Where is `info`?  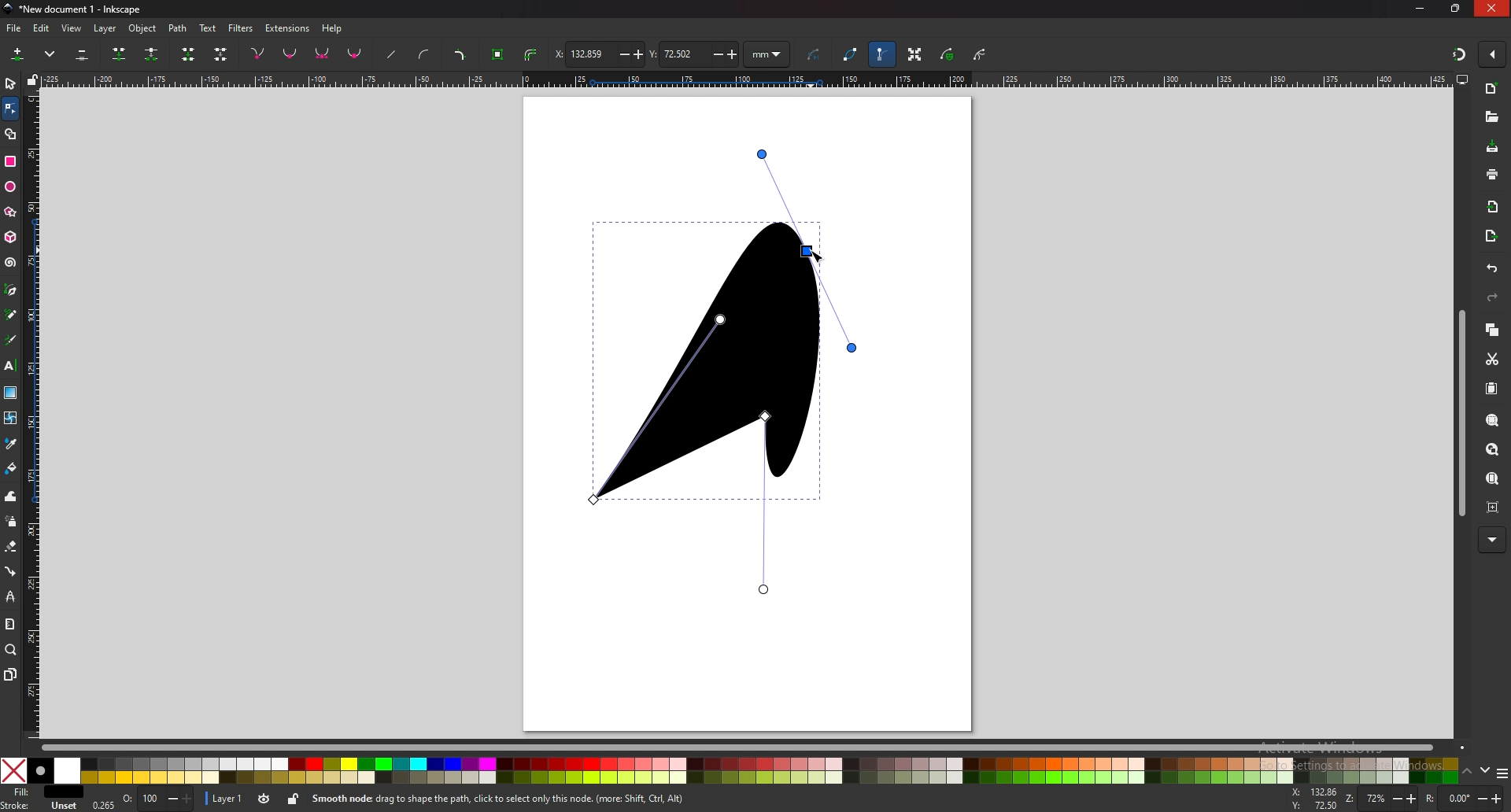 info is located at coordinates (534, 799).